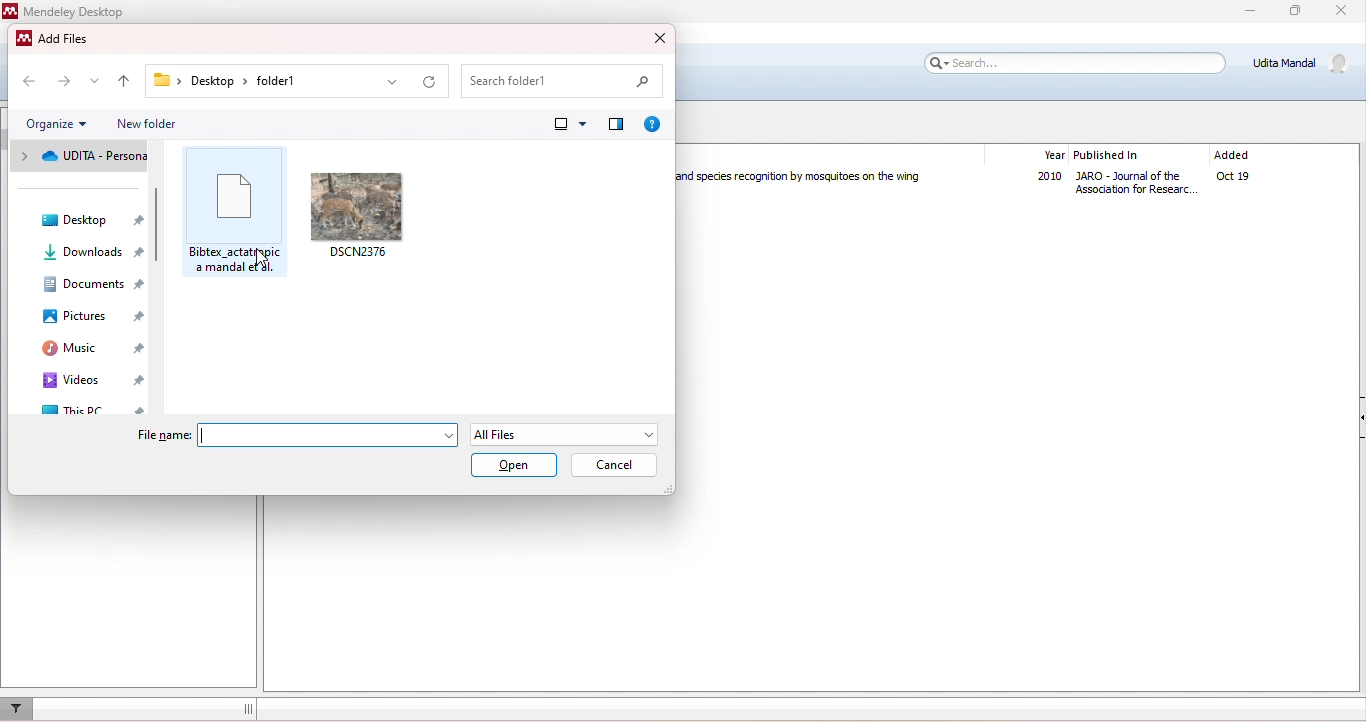 This screenshot has height=722, width=1366. I want to click on get help, so click(654, 122).